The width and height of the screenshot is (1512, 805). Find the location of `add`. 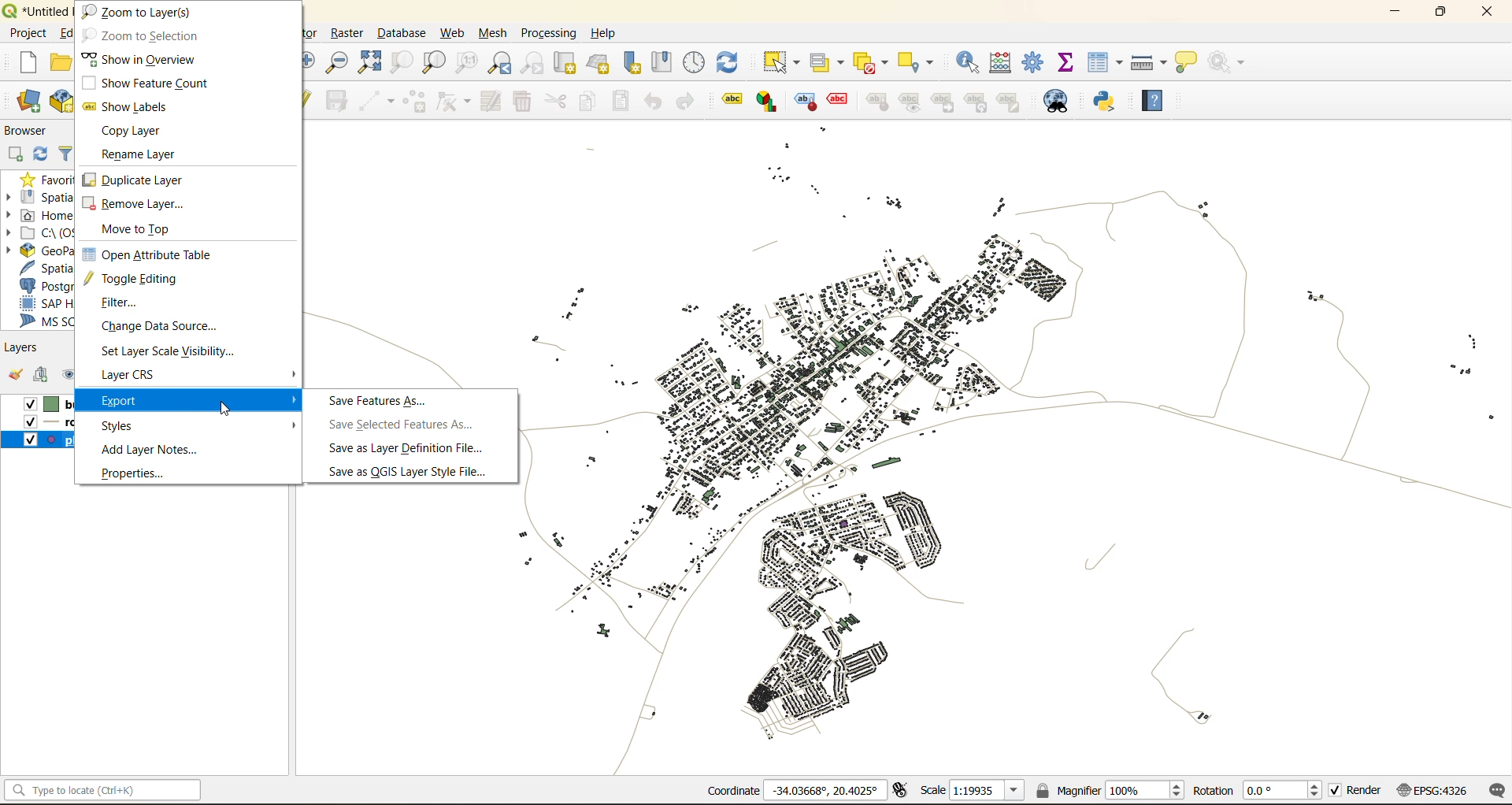

add is located at coordinates (46, 377).